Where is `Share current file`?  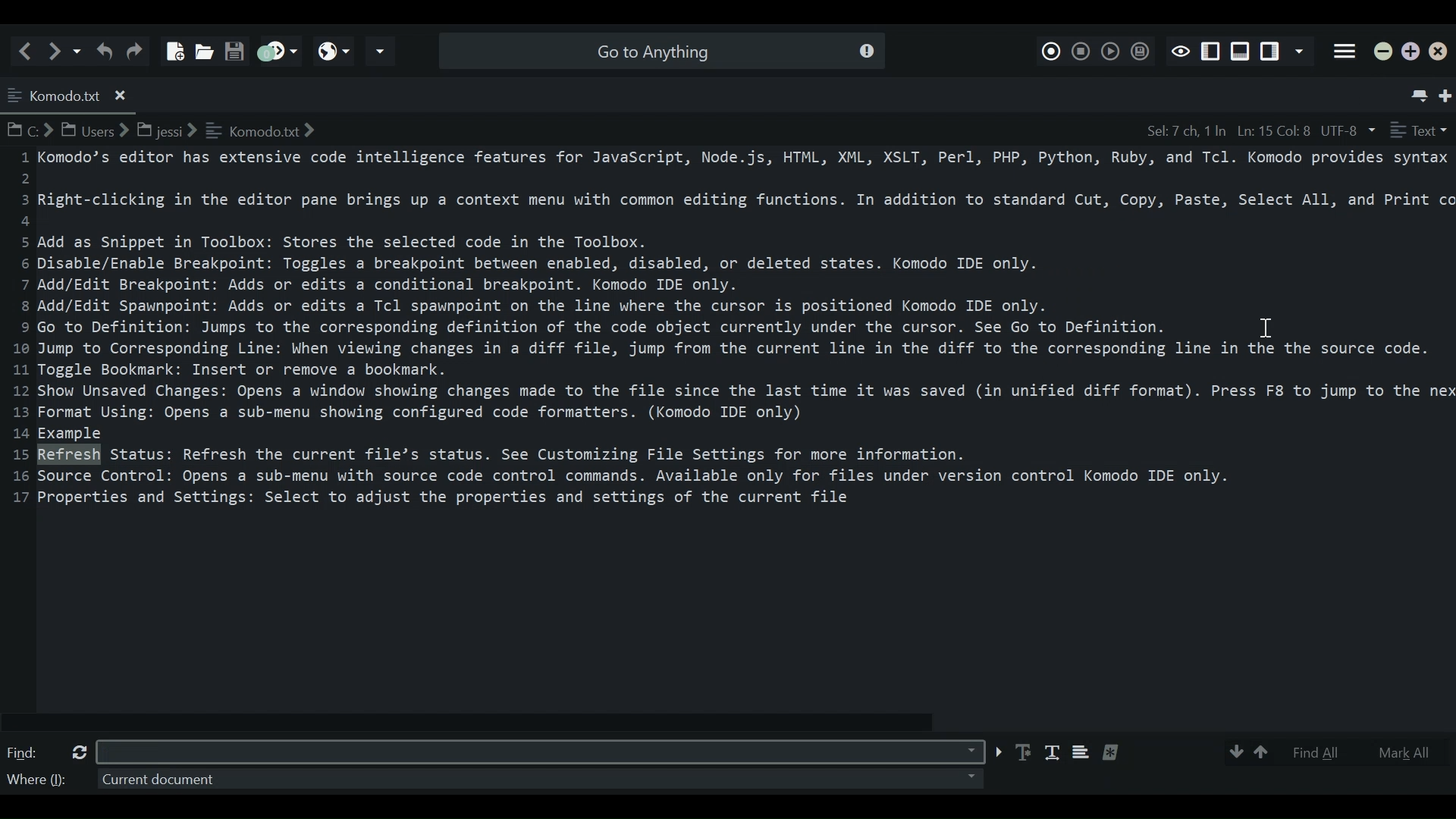
Share current file is located at coordinates (381, 52).